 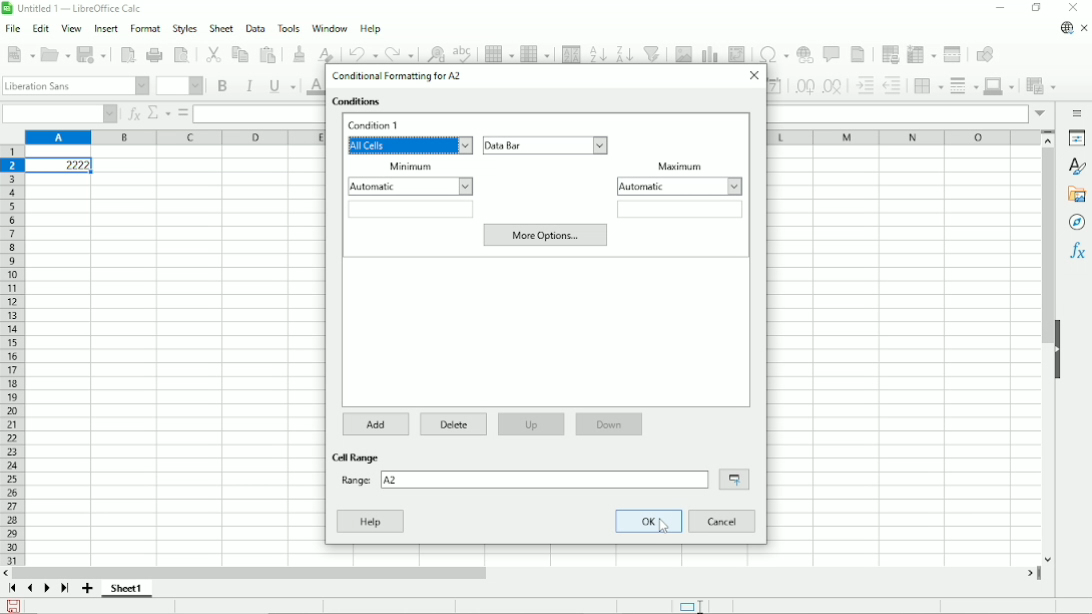 I want to click on Clear direct formatting, so click(x=325, y=52).